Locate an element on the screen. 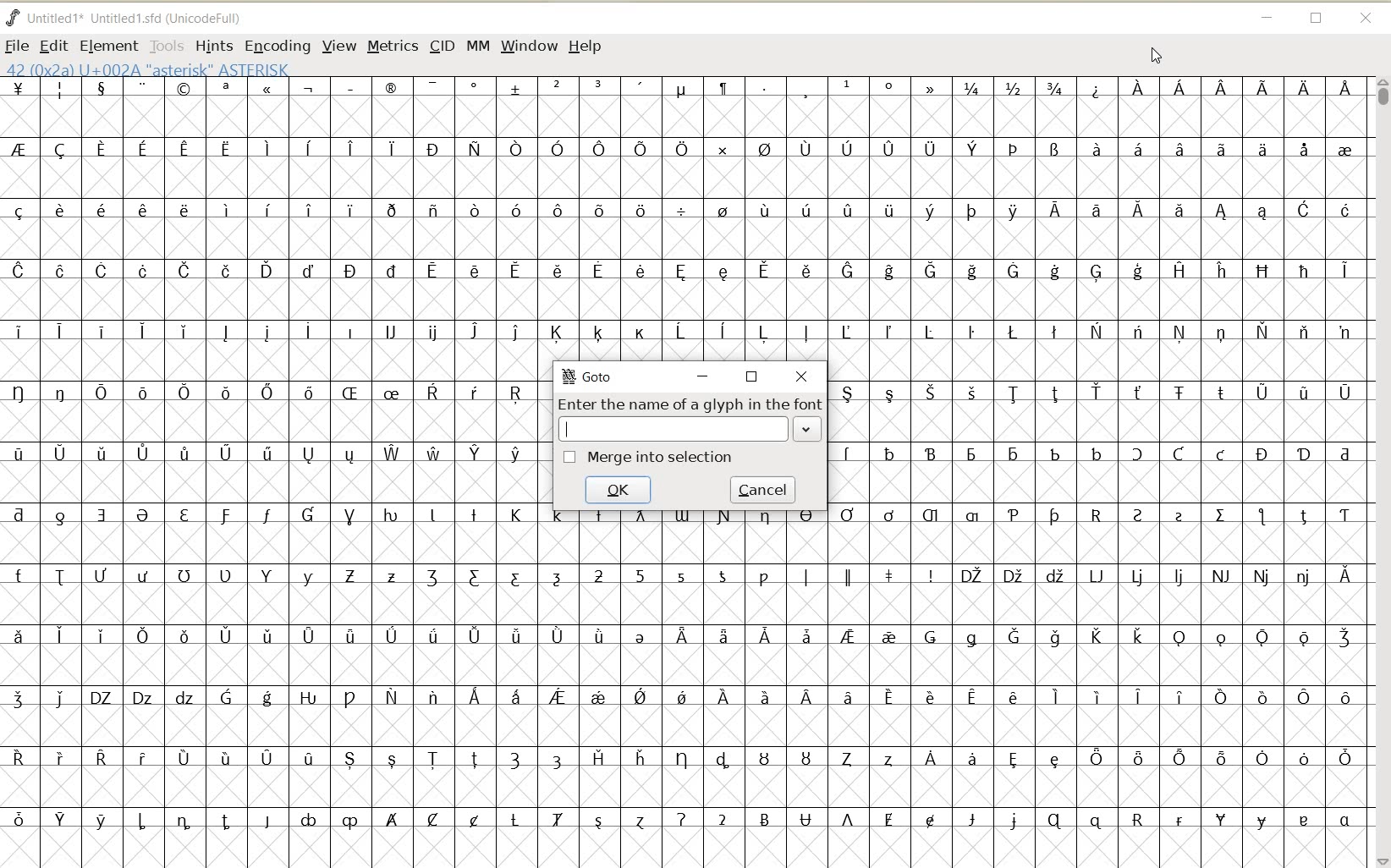 This screenshot has width=1391, height=868. TOOLS is located at coordinates (166, 46).